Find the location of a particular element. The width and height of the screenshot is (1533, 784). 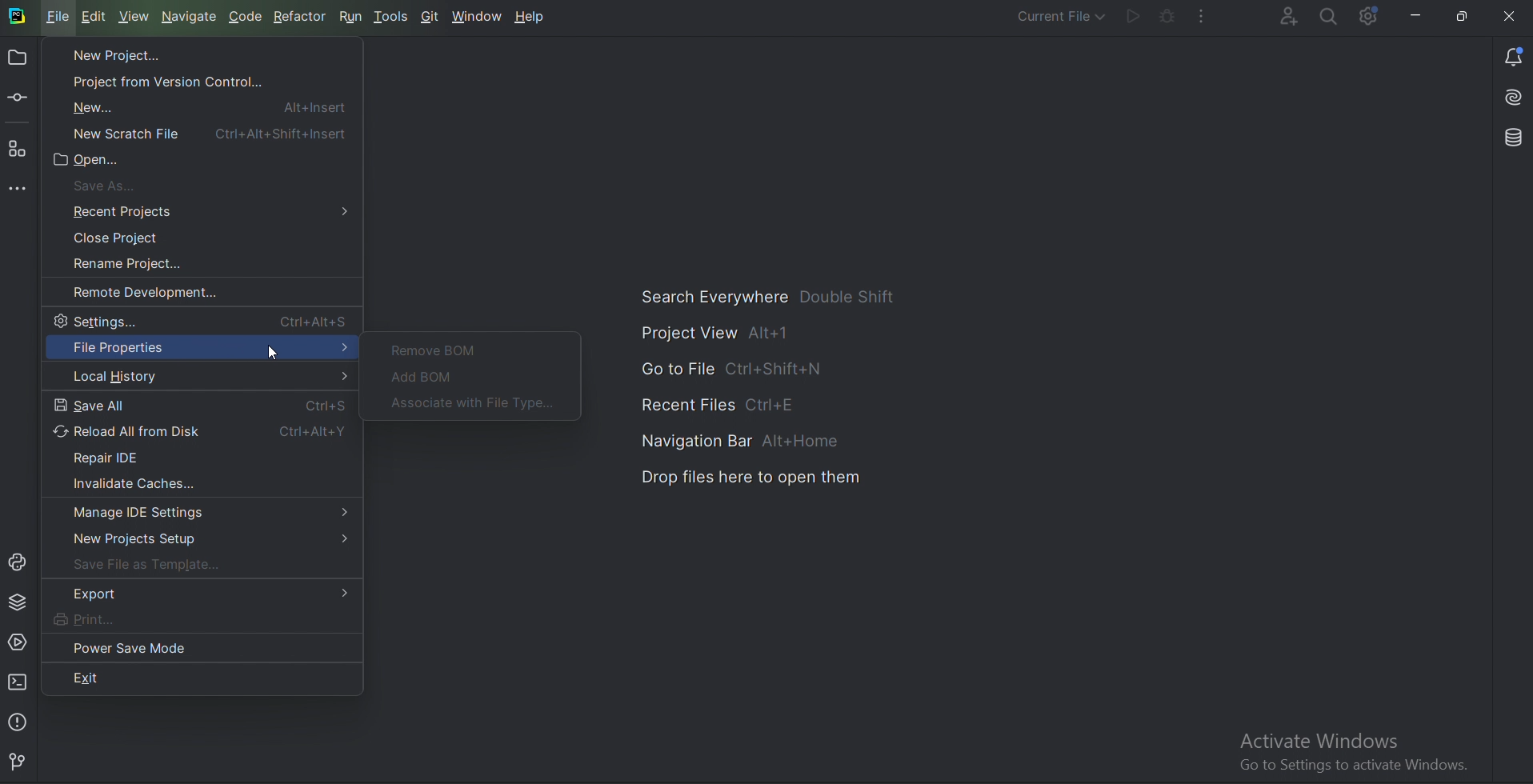

Power save mode is located at coordinates (133, 647).